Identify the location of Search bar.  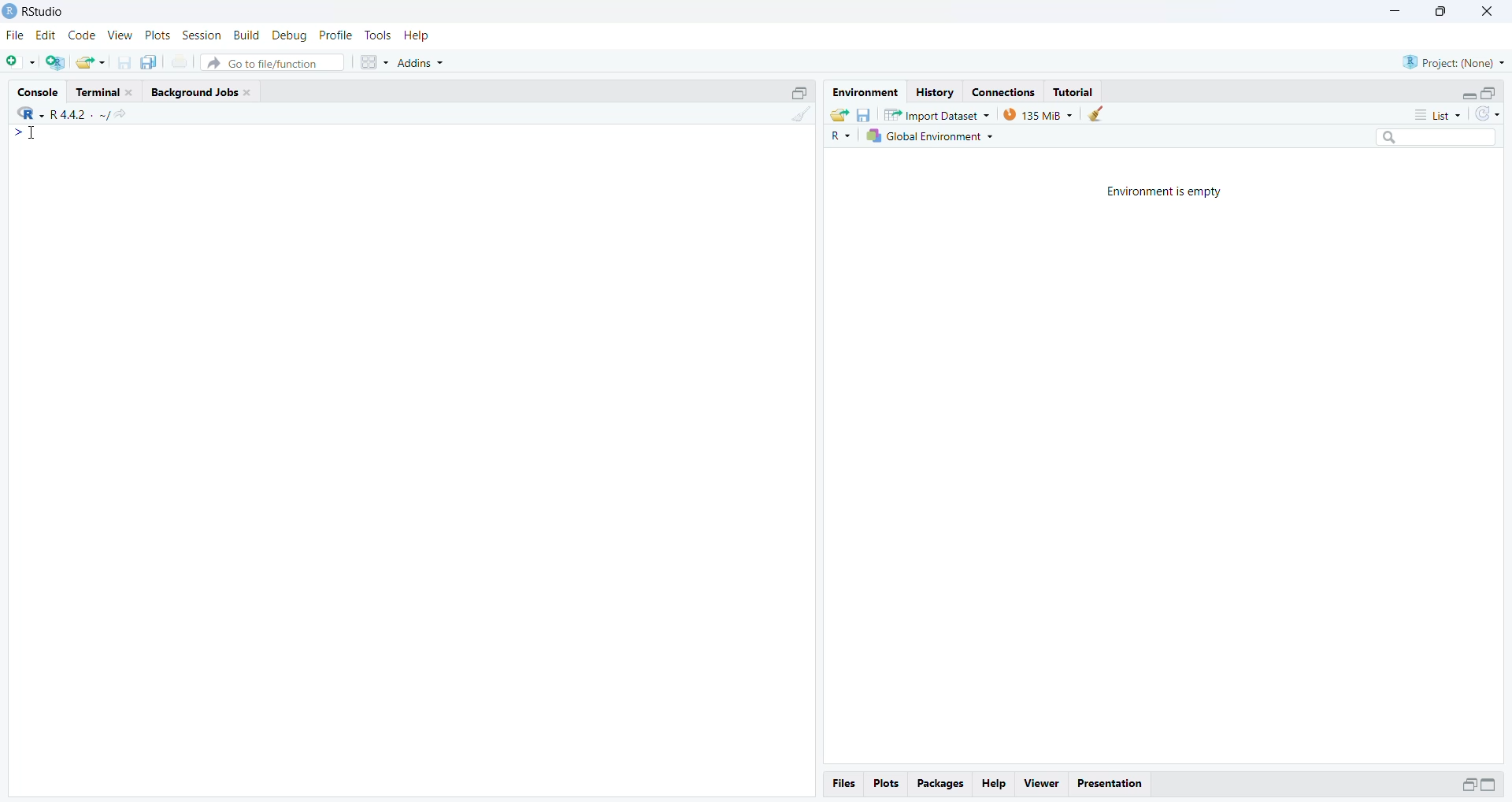
(1443, 139).